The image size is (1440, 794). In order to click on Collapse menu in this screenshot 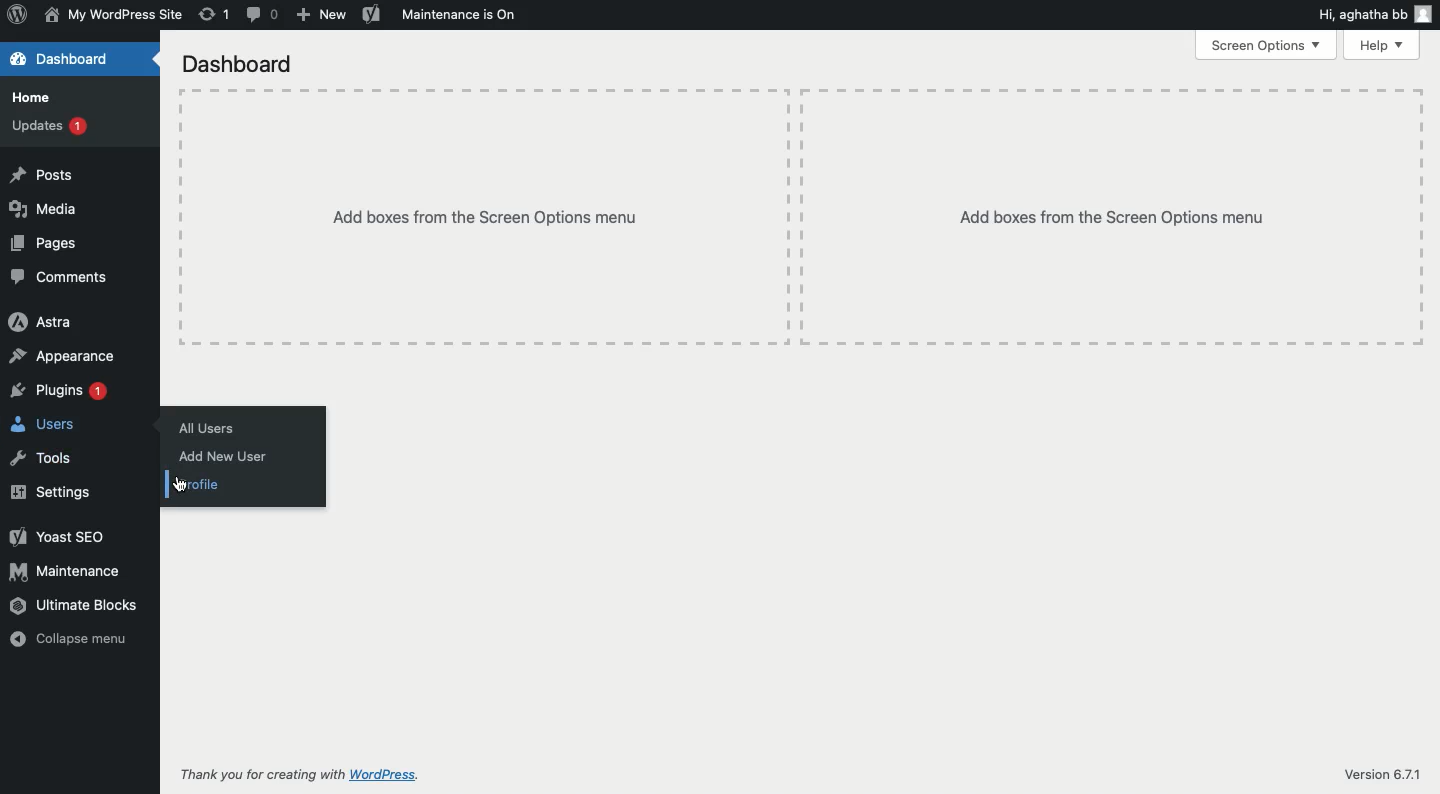, I will do `click(68, 640)`.